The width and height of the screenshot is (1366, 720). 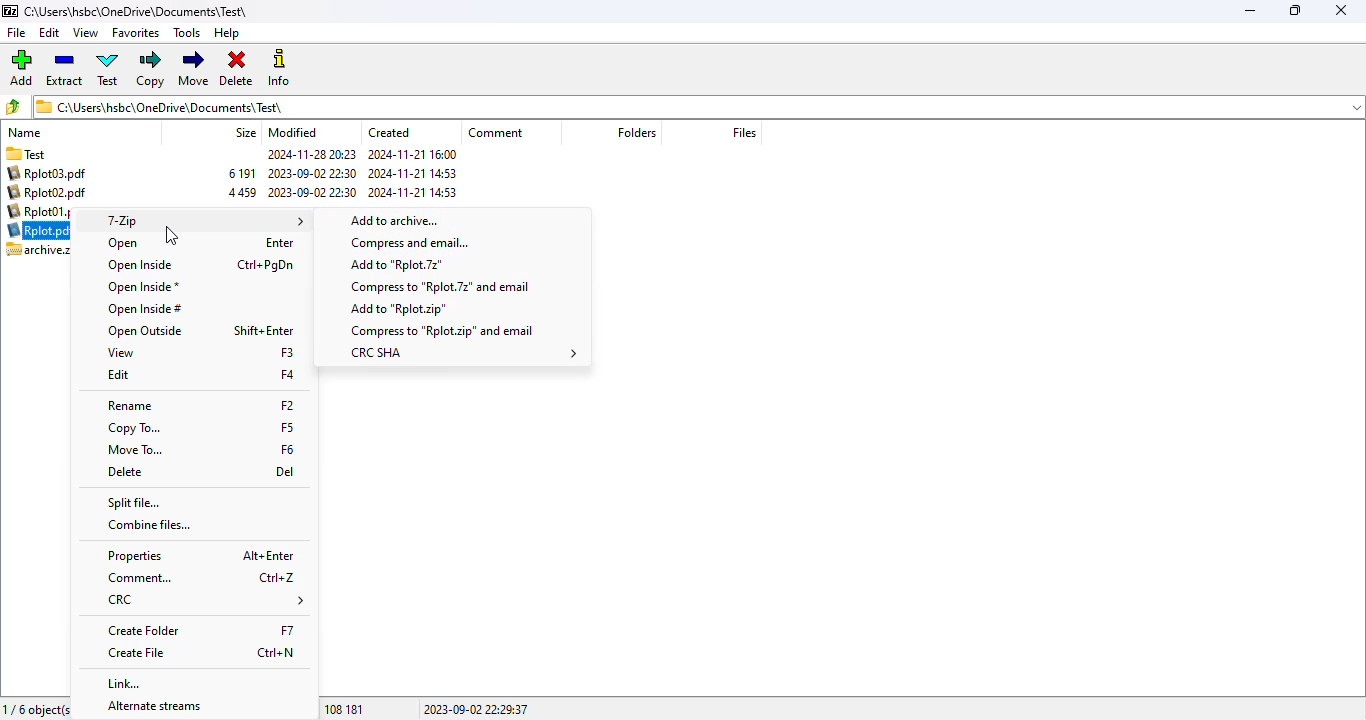 What do you see at coordinates (137, 449) in the screenshot?
I see `move to` at bounding box center [137, 449].